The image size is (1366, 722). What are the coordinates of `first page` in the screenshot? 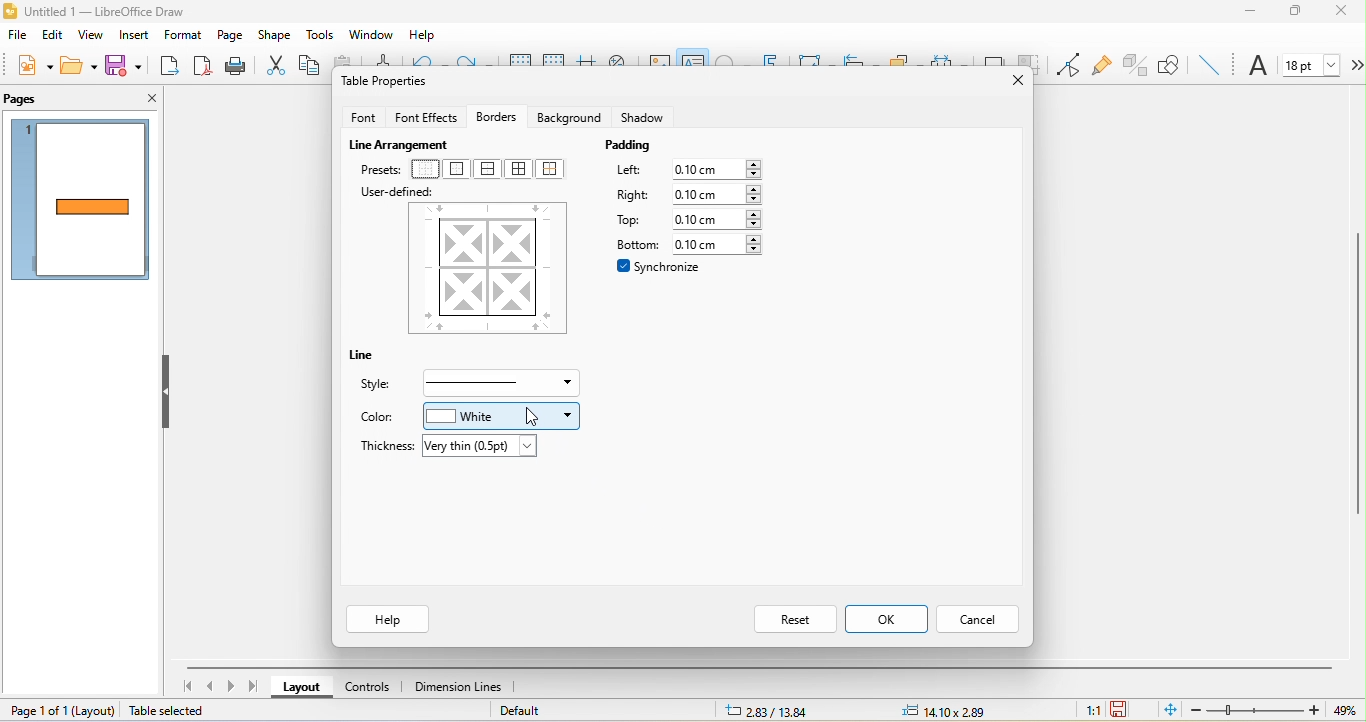 It's located at (187, 687).